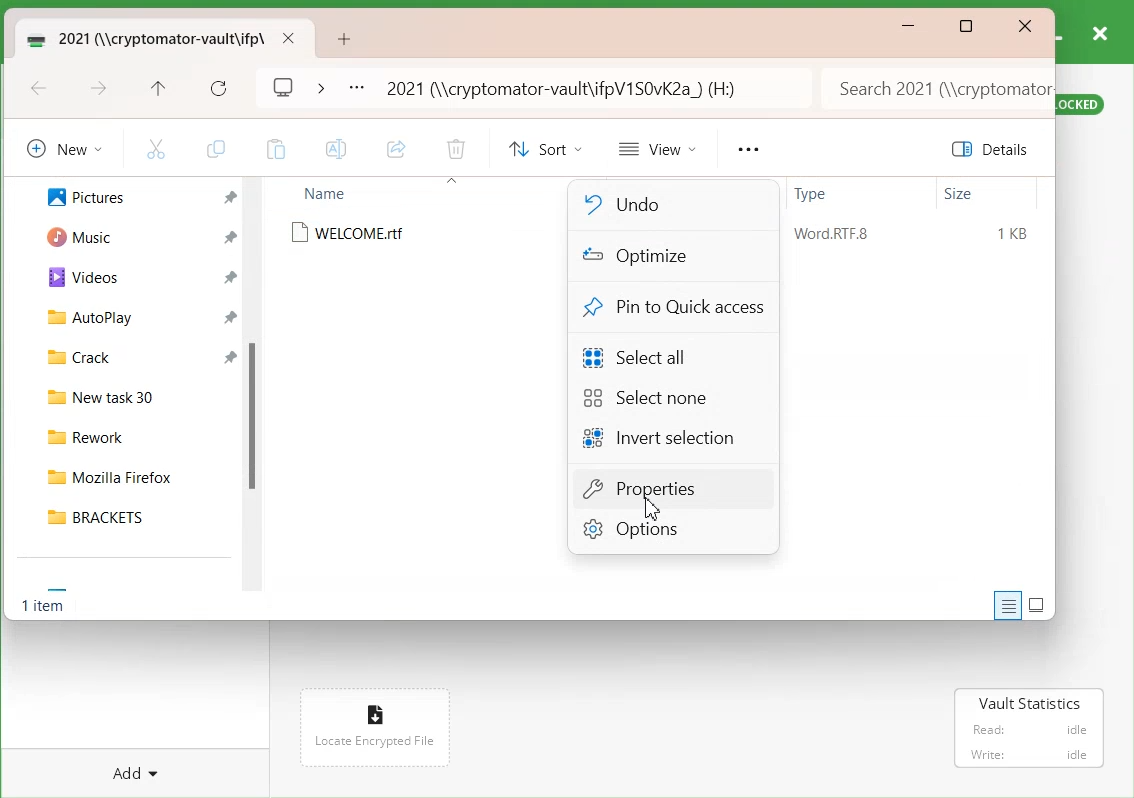 This screenshot has height=798, width=1134. I want to click on Copy, so click(215, 149).